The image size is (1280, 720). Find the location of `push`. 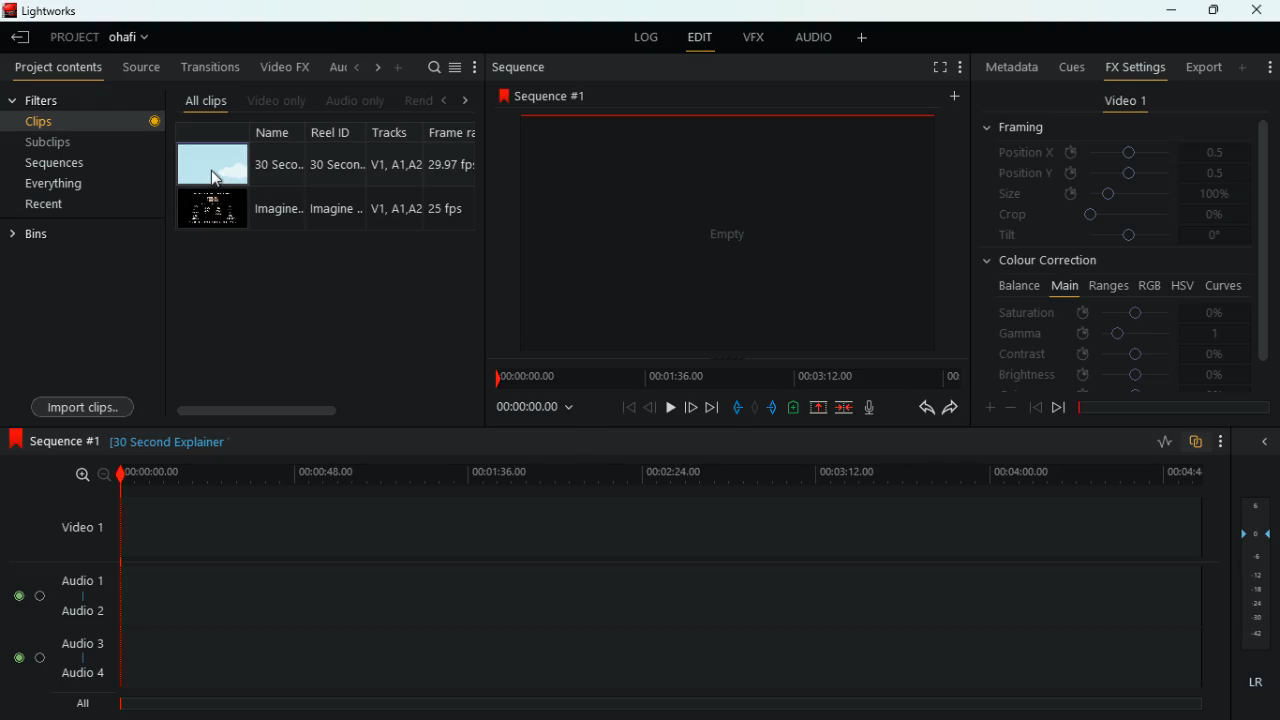

push is located at coordinates (773, 407).